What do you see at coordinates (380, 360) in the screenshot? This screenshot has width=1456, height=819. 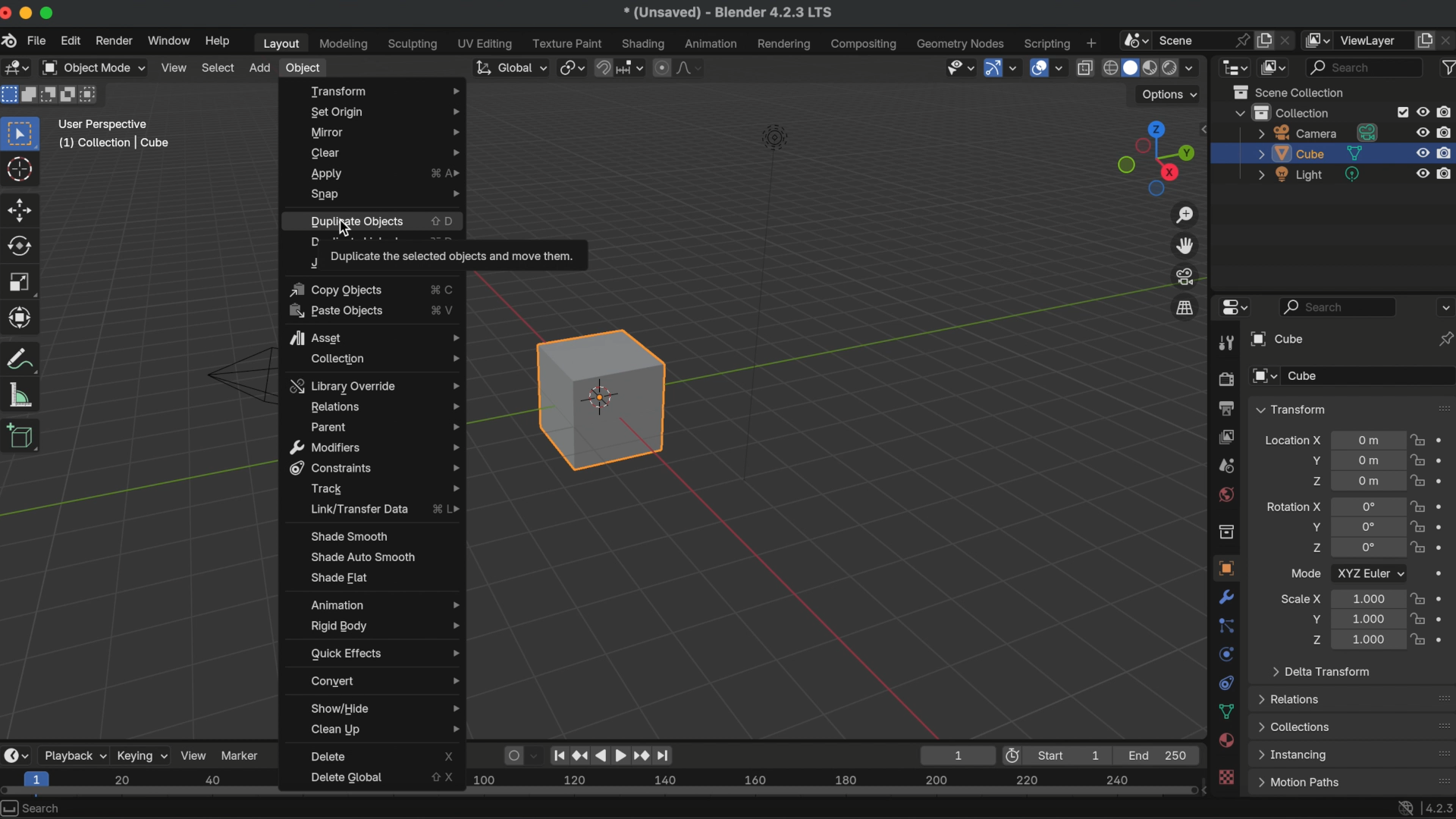 I see `collection menu` at bounding box center [380, 360].